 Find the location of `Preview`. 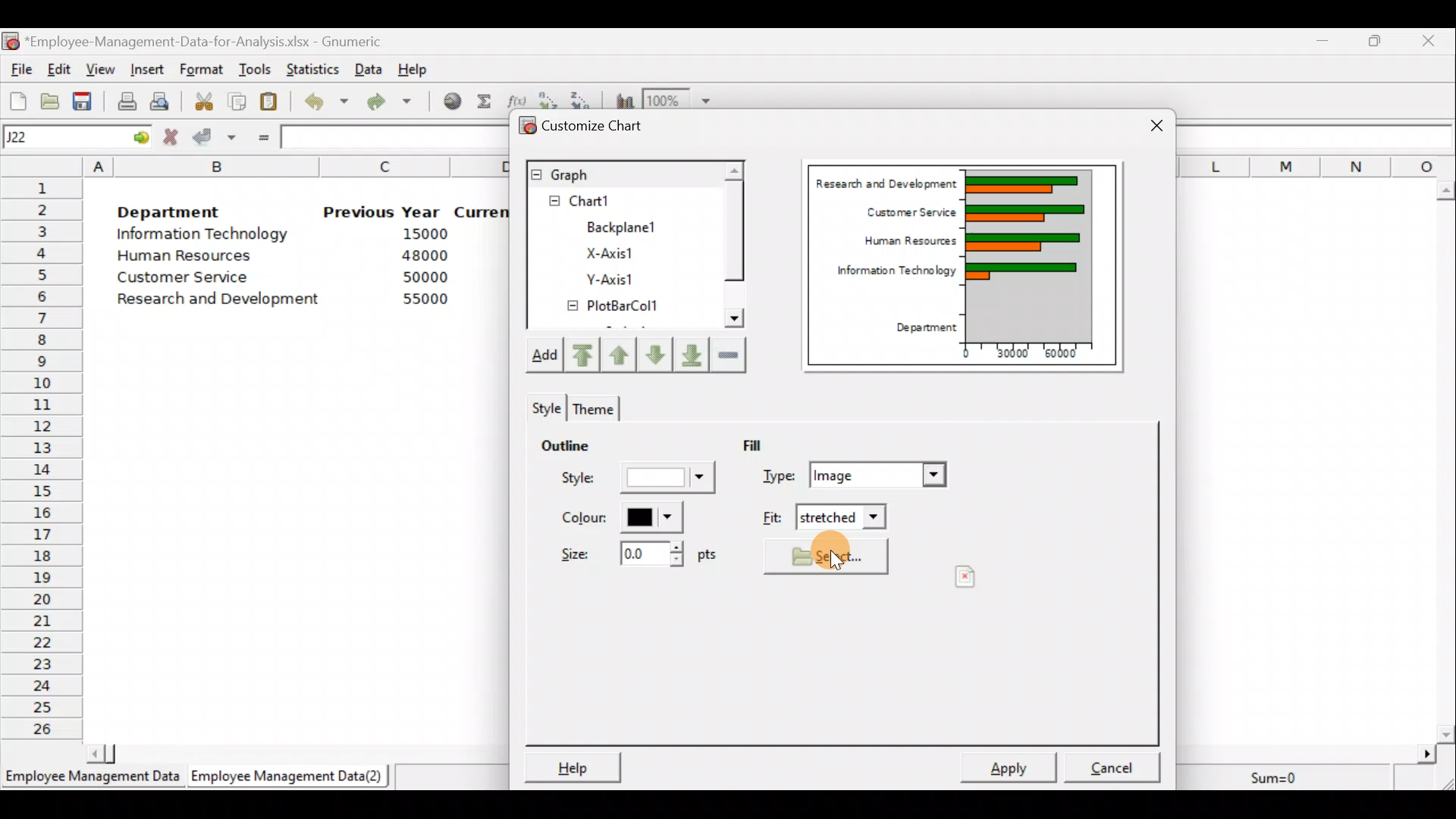

Preview is located at coordinates (966, 577).